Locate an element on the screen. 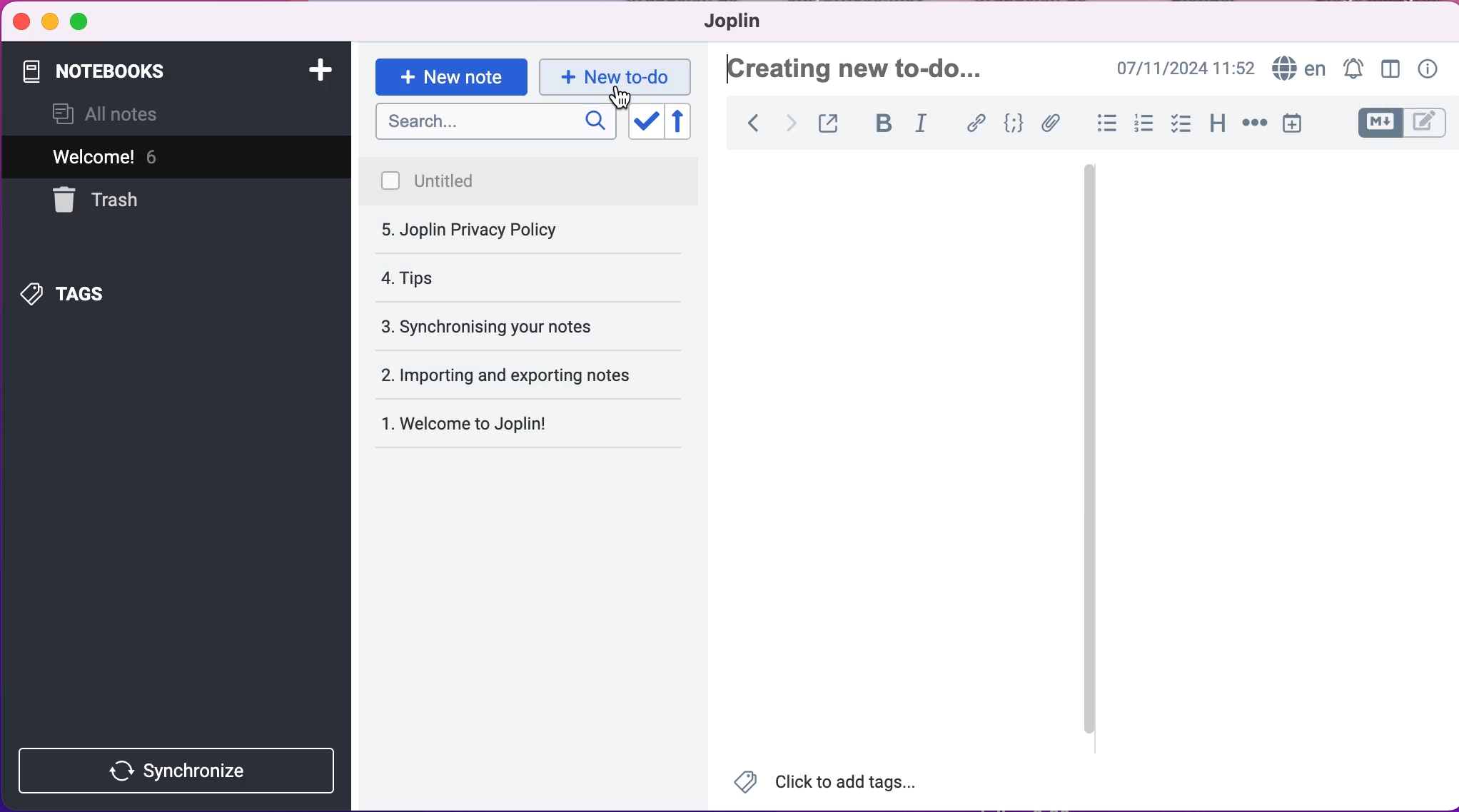 Image resolution: width=1459 pixels, height=812 pixels. close is located at coordinates (21, 21).